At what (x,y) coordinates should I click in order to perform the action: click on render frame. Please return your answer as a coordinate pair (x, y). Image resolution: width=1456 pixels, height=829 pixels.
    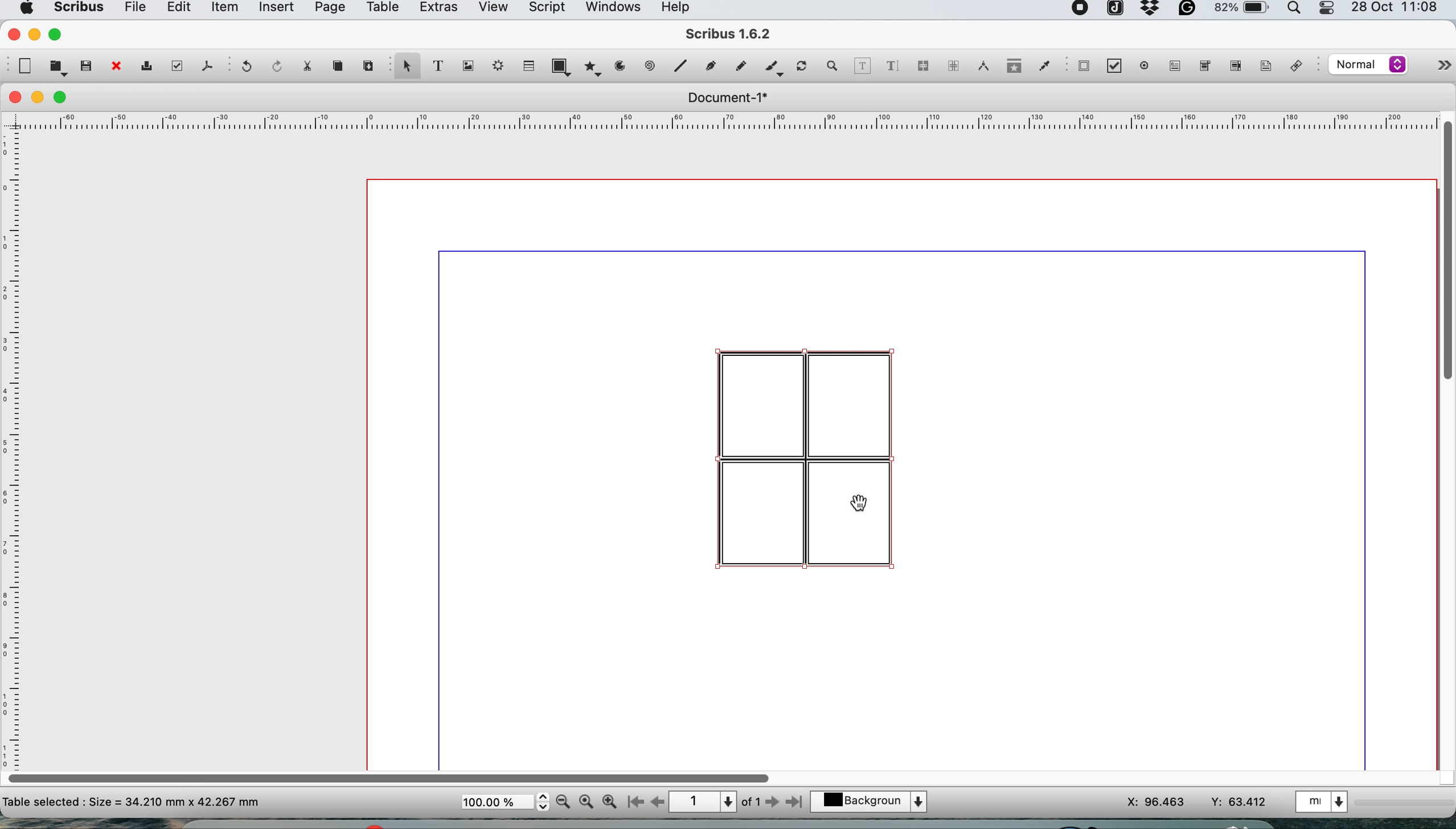
    Looking at the image, I should click on (495, 65).